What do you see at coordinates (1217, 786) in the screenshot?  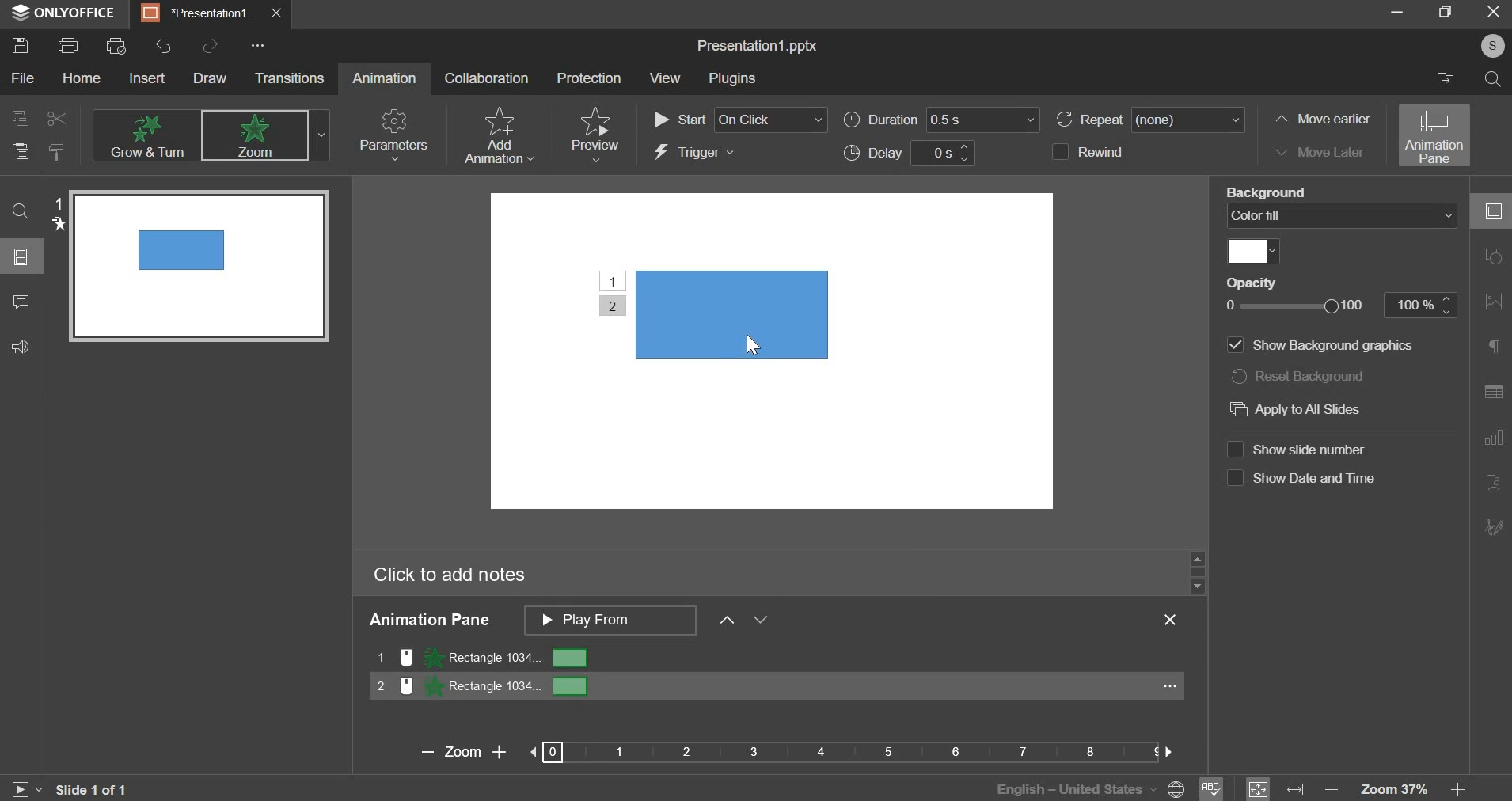 I see `spell check` at bounding box center [1217, 786].